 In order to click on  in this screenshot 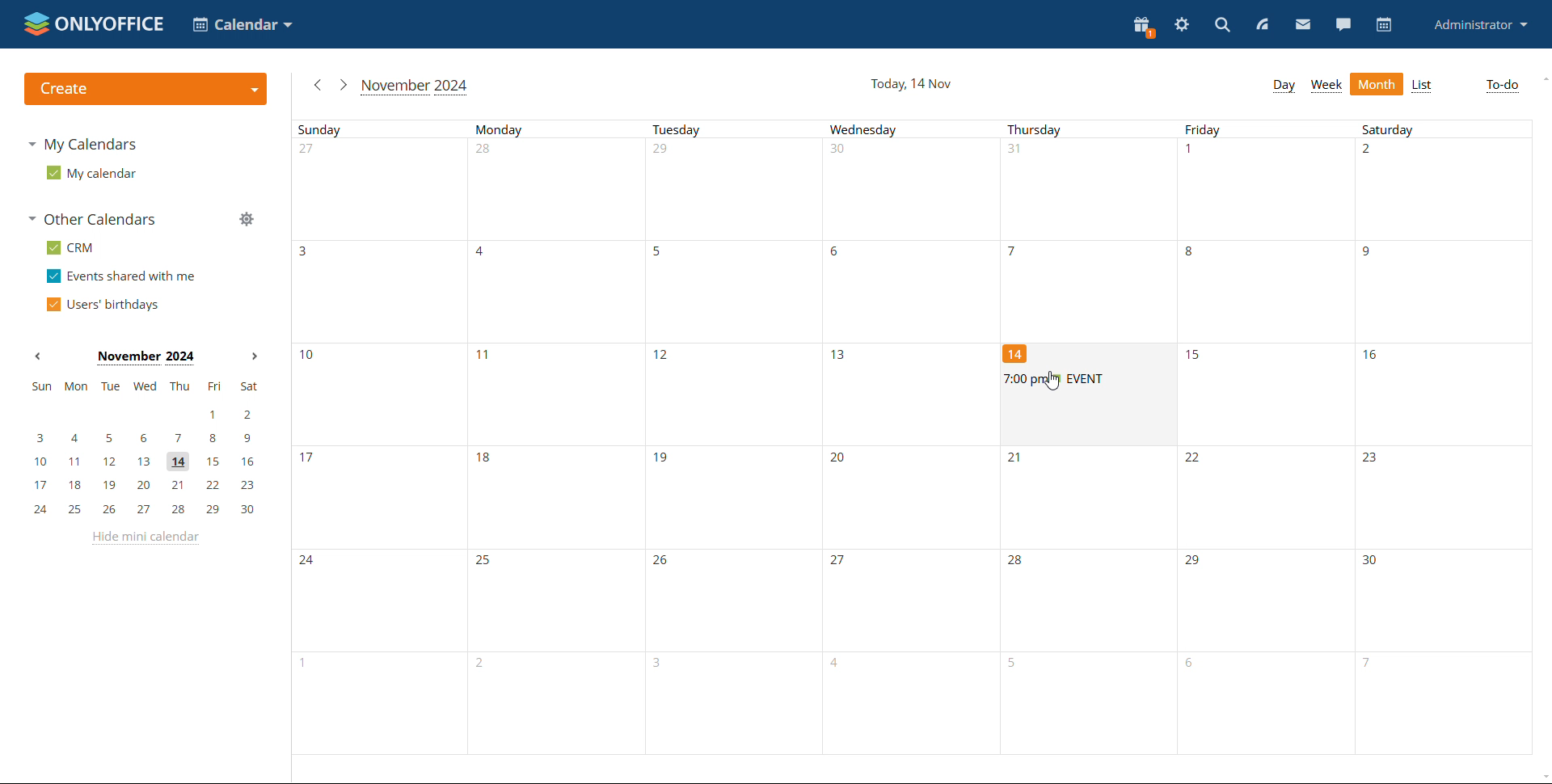, I will do `click(840, 561)`.